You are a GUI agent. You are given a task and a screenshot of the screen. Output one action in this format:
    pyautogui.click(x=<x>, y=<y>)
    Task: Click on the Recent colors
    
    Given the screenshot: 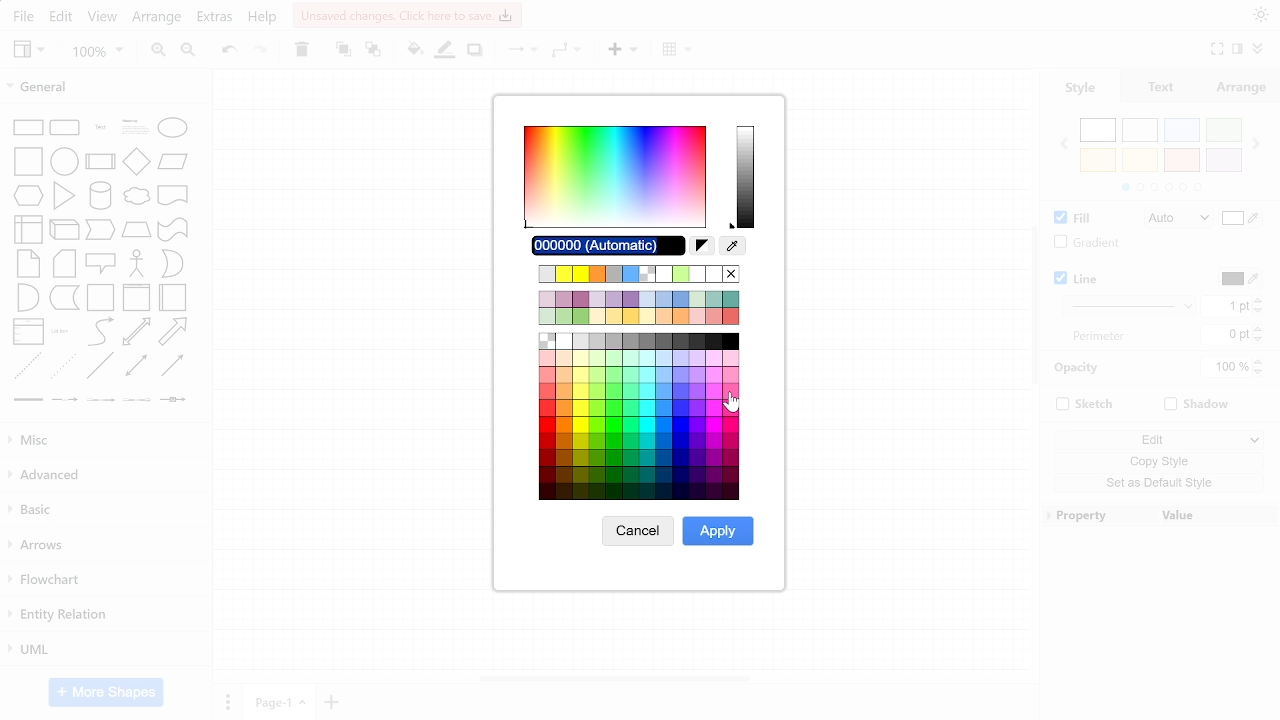 What is the action you would take?
    pyautogui.click(x=638, y=273)
    